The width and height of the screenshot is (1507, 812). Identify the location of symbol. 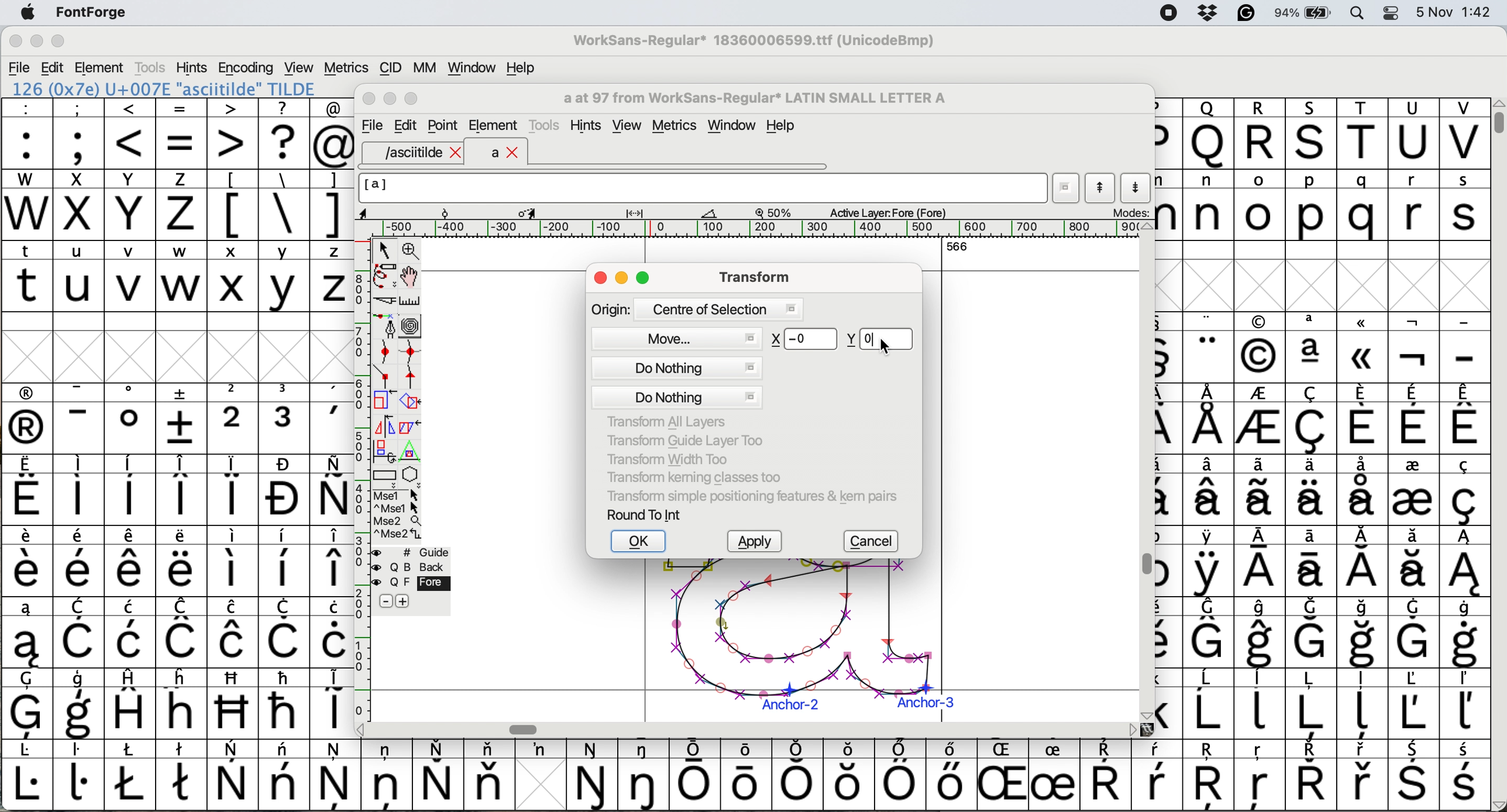
(1262, 633).